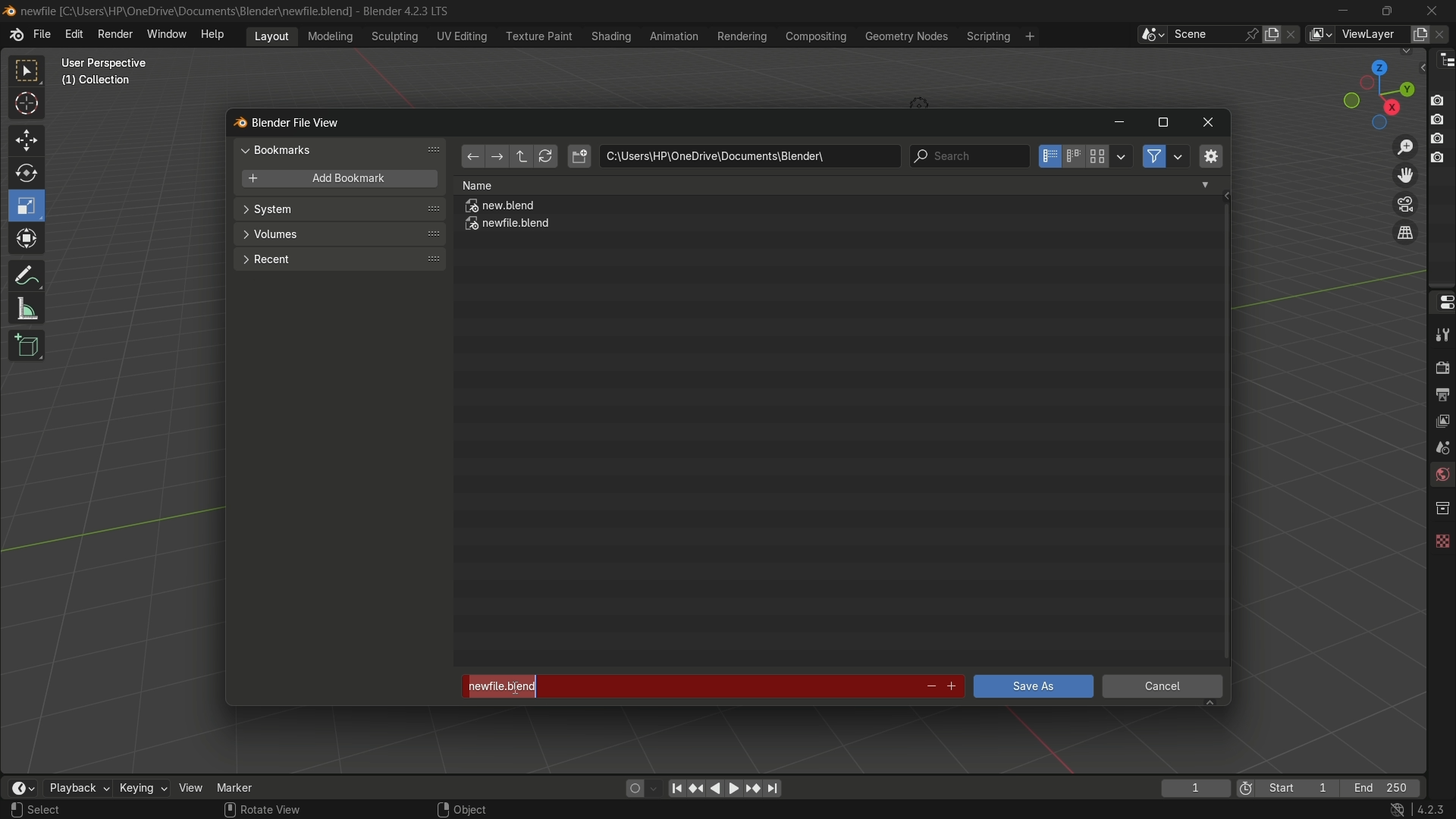  What do you see at coordinates (338, 234) in the screenshot?
I see `volumes` at bounding box center [338, 234].